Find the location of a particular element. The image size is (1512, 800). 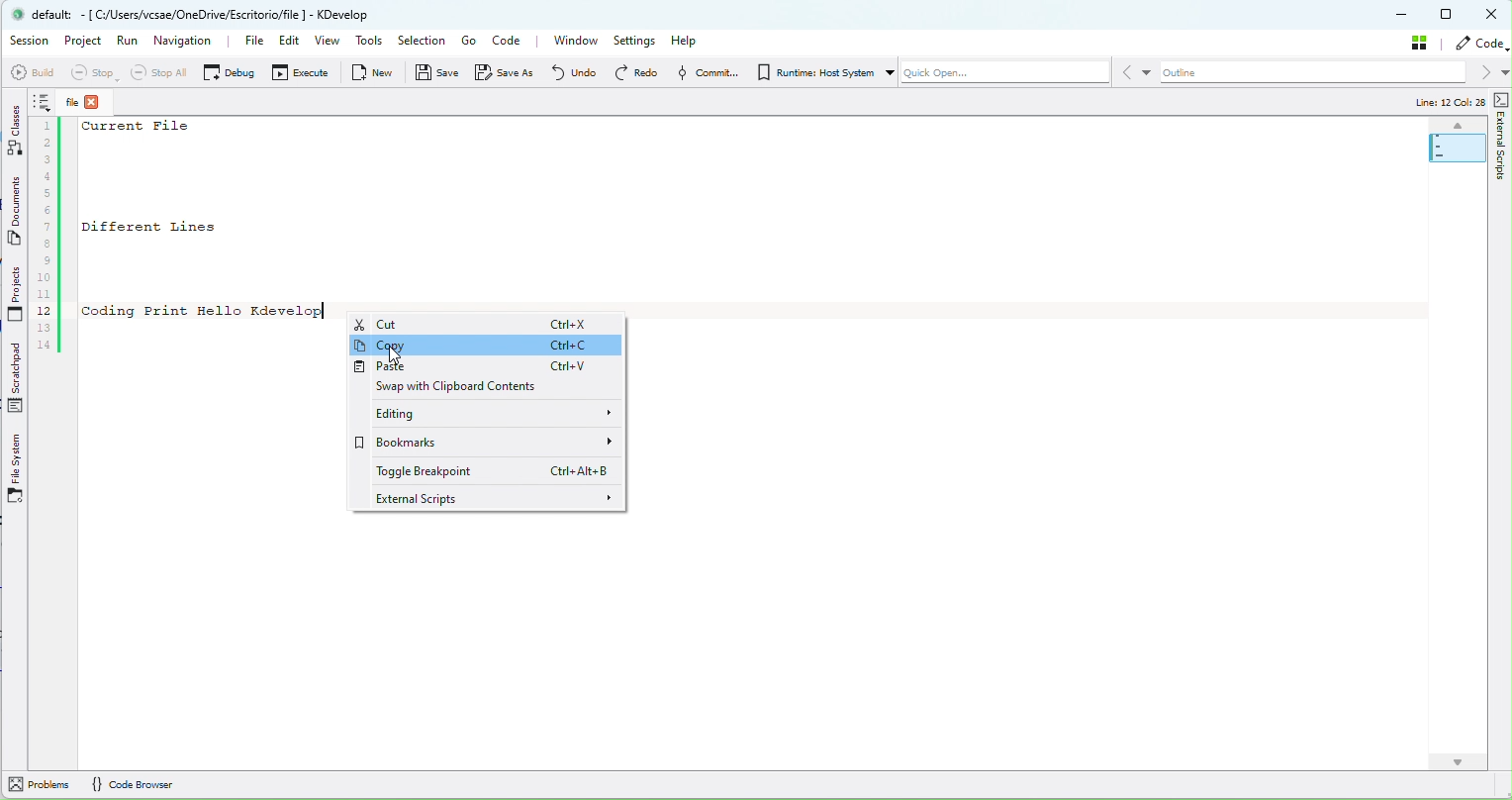

Runtime: Host System is located at coordinates (813, 72).